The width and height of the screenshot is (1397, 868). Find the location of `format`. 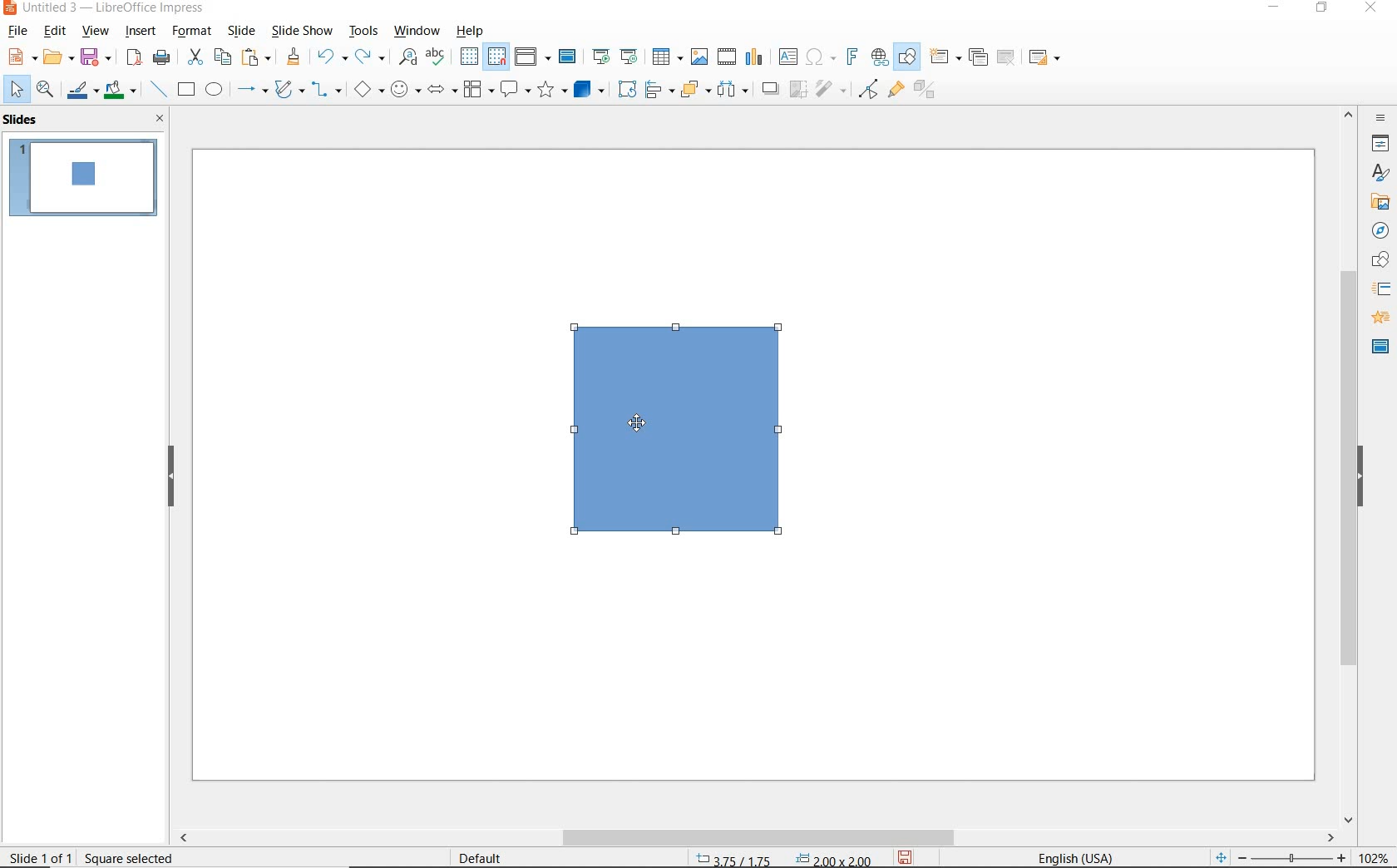

format is located at coordinates (194, 32).